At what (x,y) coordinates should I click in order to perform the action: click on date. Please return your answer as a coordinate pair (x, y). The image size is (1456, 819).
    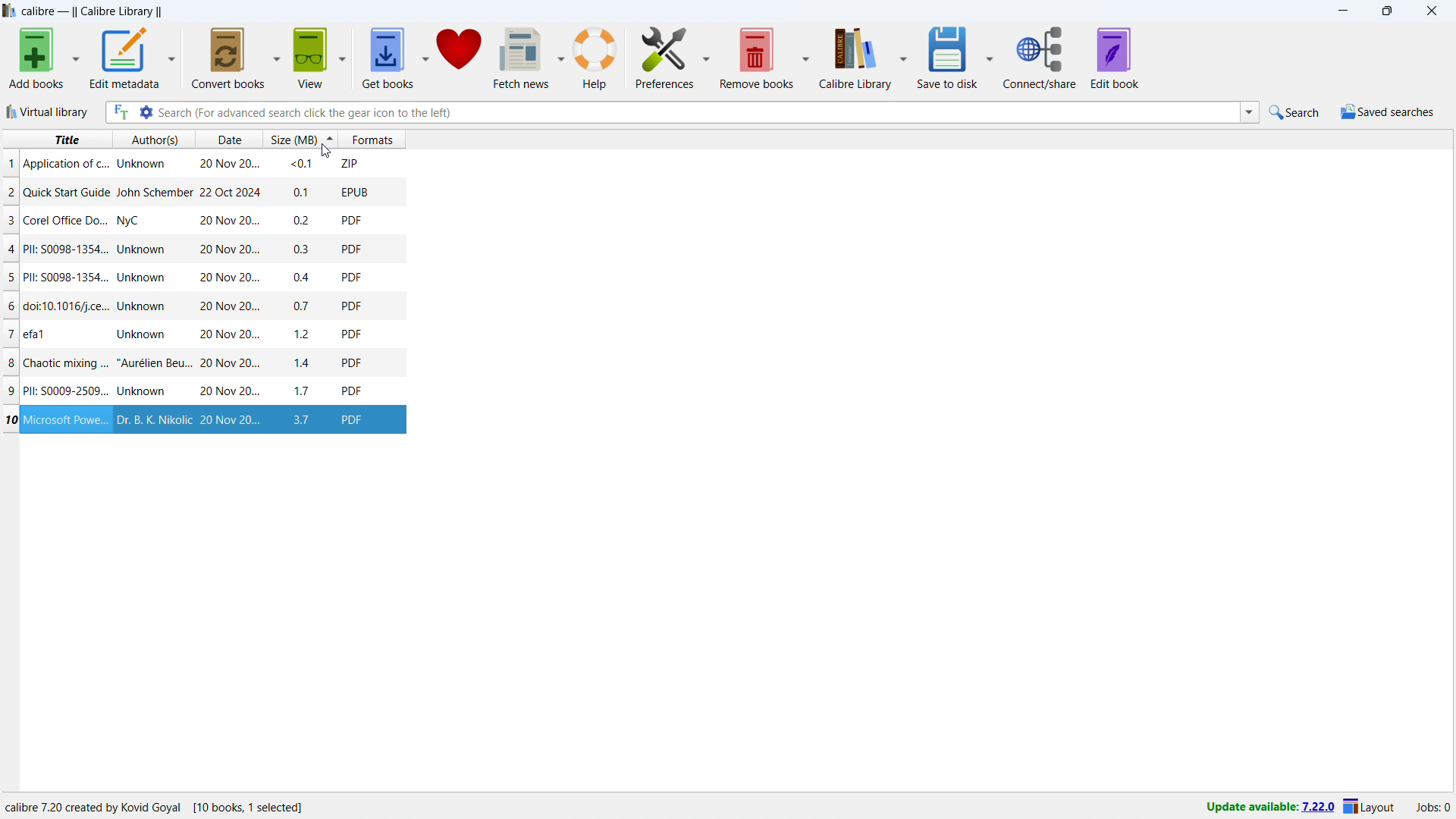
    Looking at the image, I should click on (227, 278).